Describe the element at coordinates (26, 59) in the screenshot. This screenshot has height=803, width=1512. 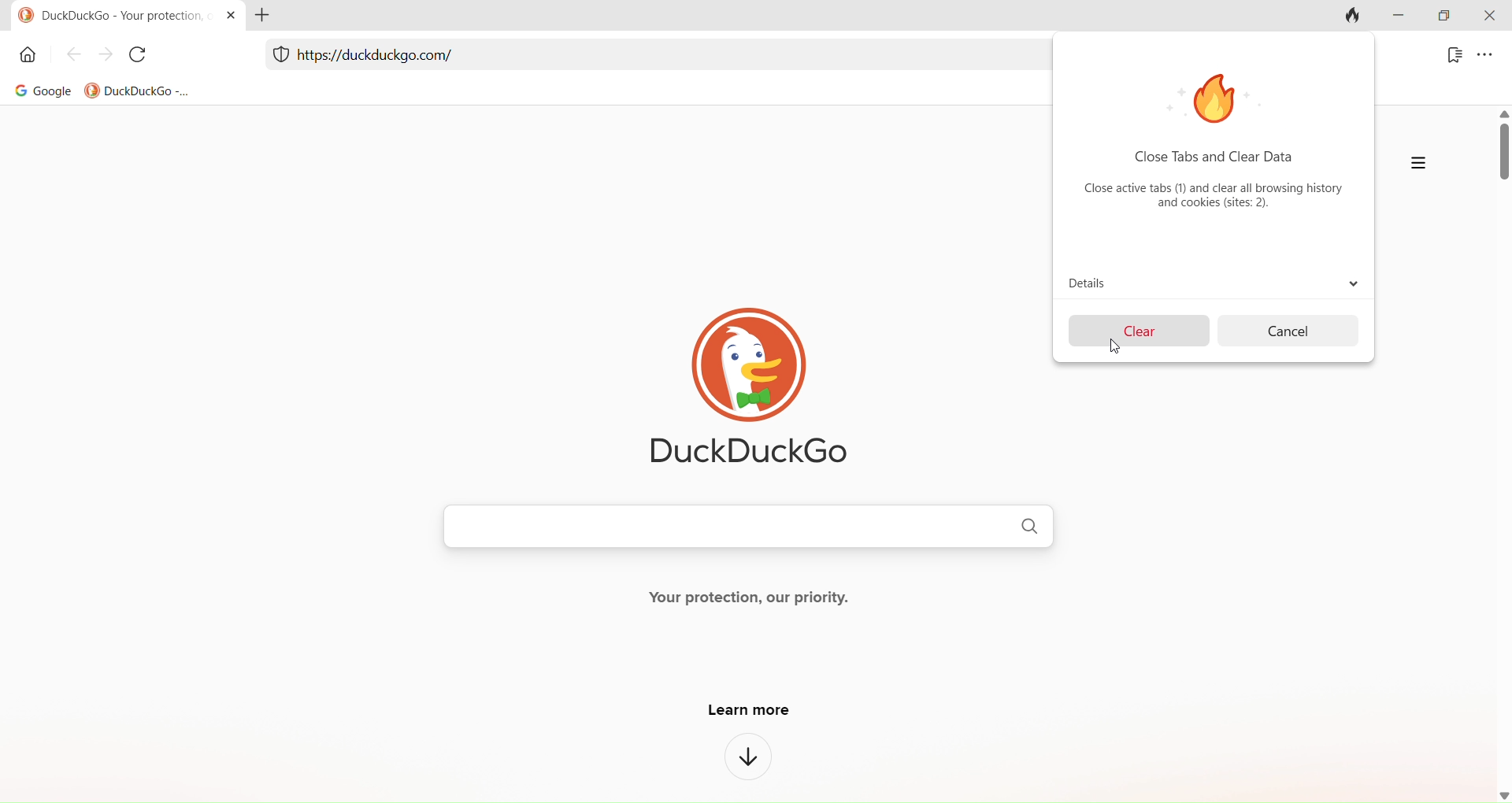
I see `home` at that location.